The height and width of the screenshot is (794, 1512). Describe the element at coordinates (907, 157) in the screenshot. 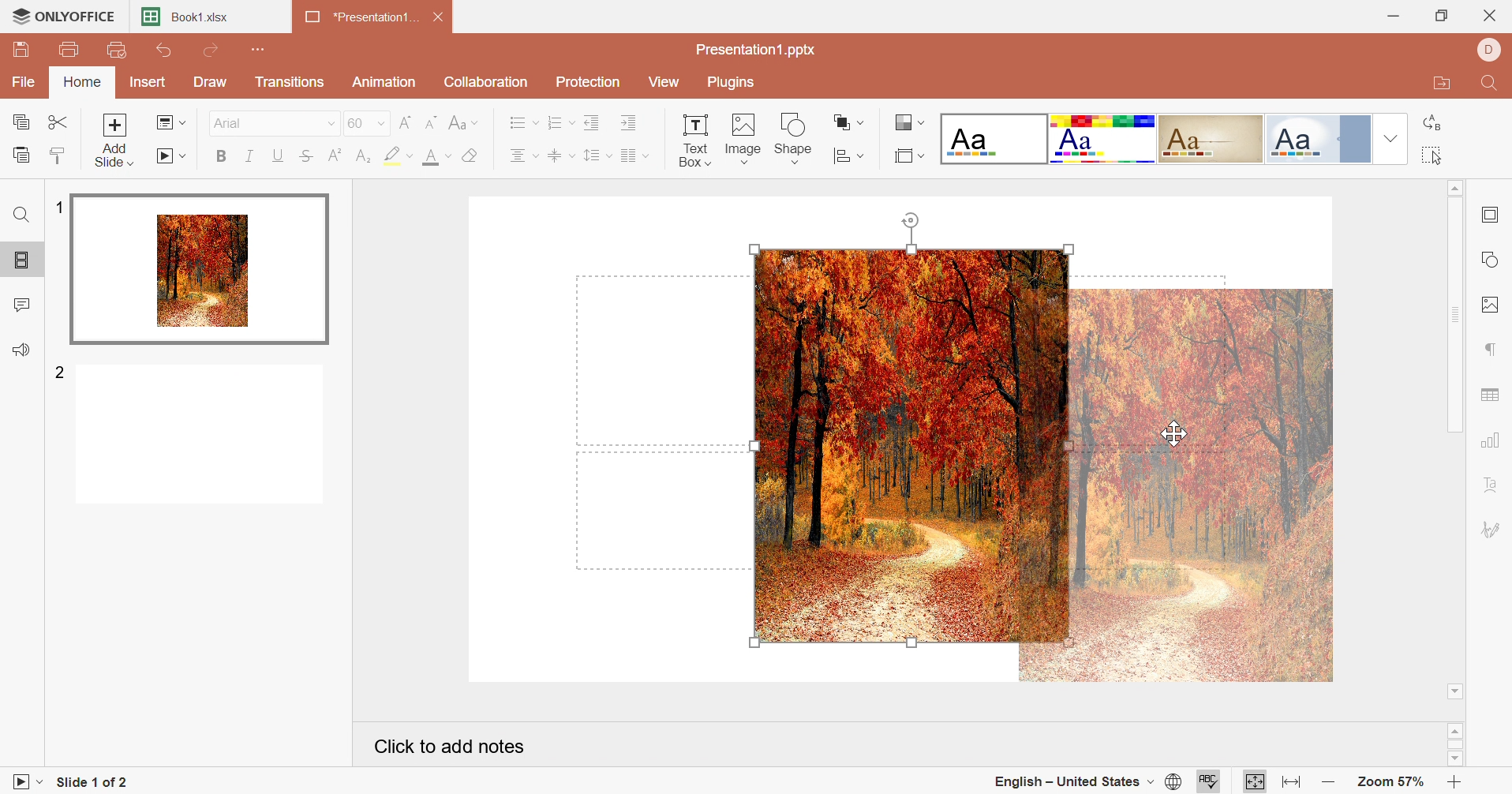

I see `Select slide size` at that location.